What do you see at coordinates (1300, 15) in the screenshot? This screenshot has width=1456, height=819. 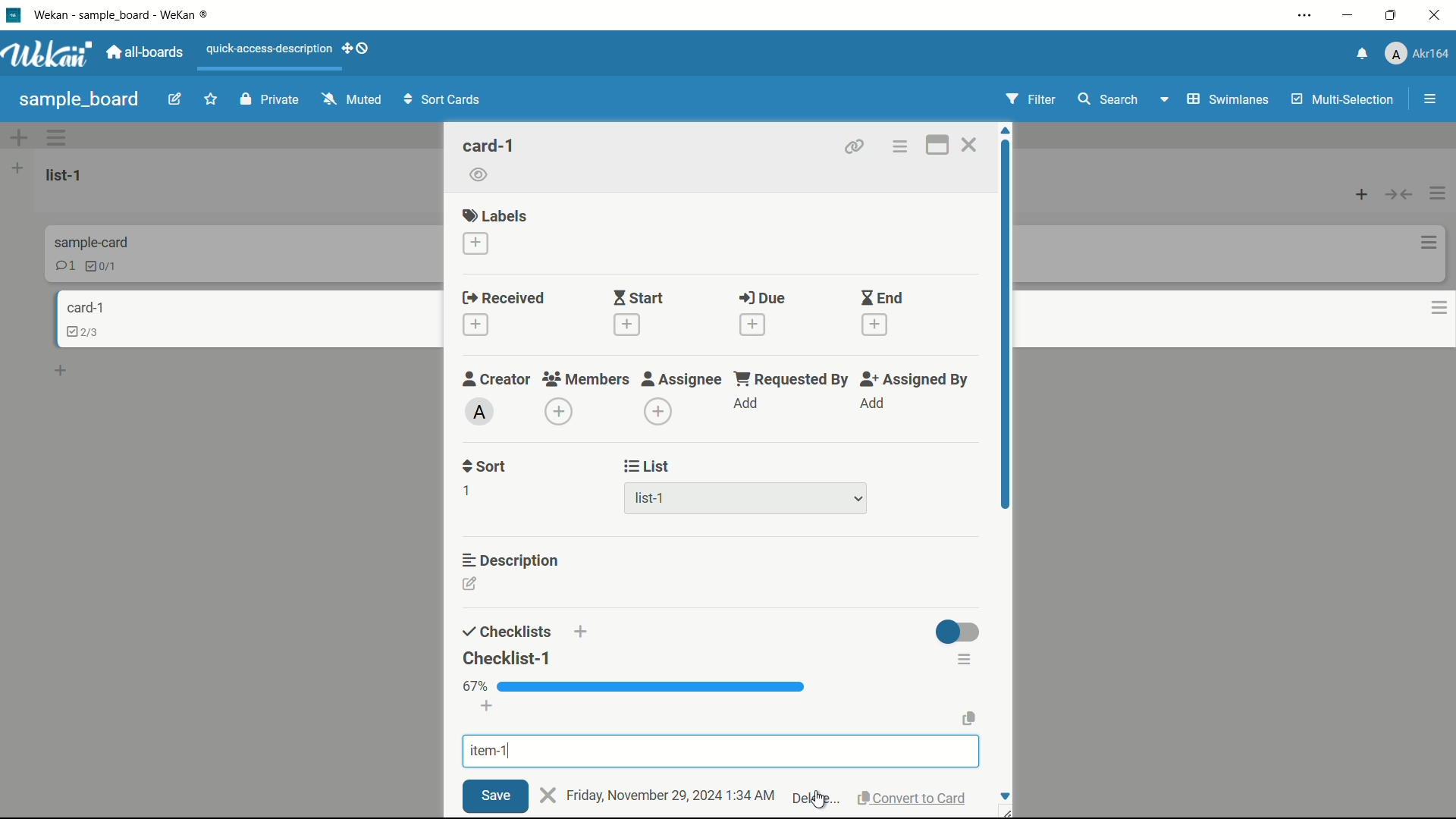 I see `settings and more` at bounding box center [1300, 15].